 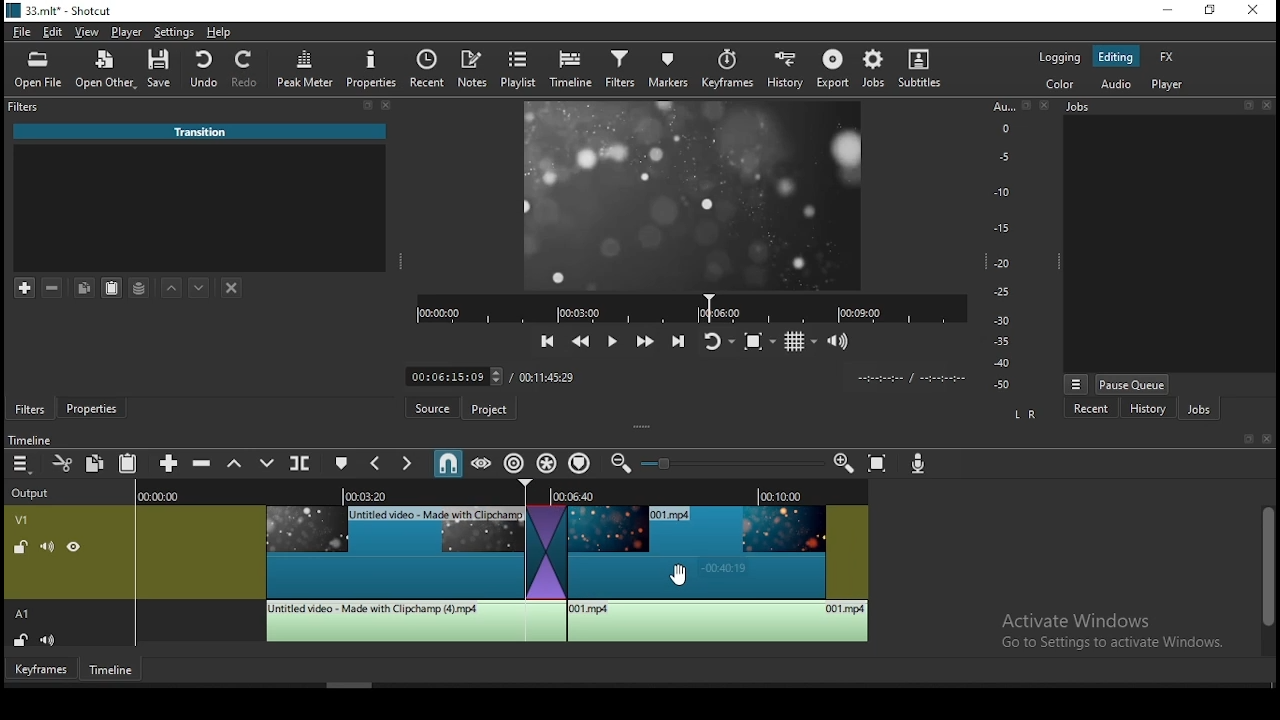 I want to click on video clip, so click(x=393, y=552).